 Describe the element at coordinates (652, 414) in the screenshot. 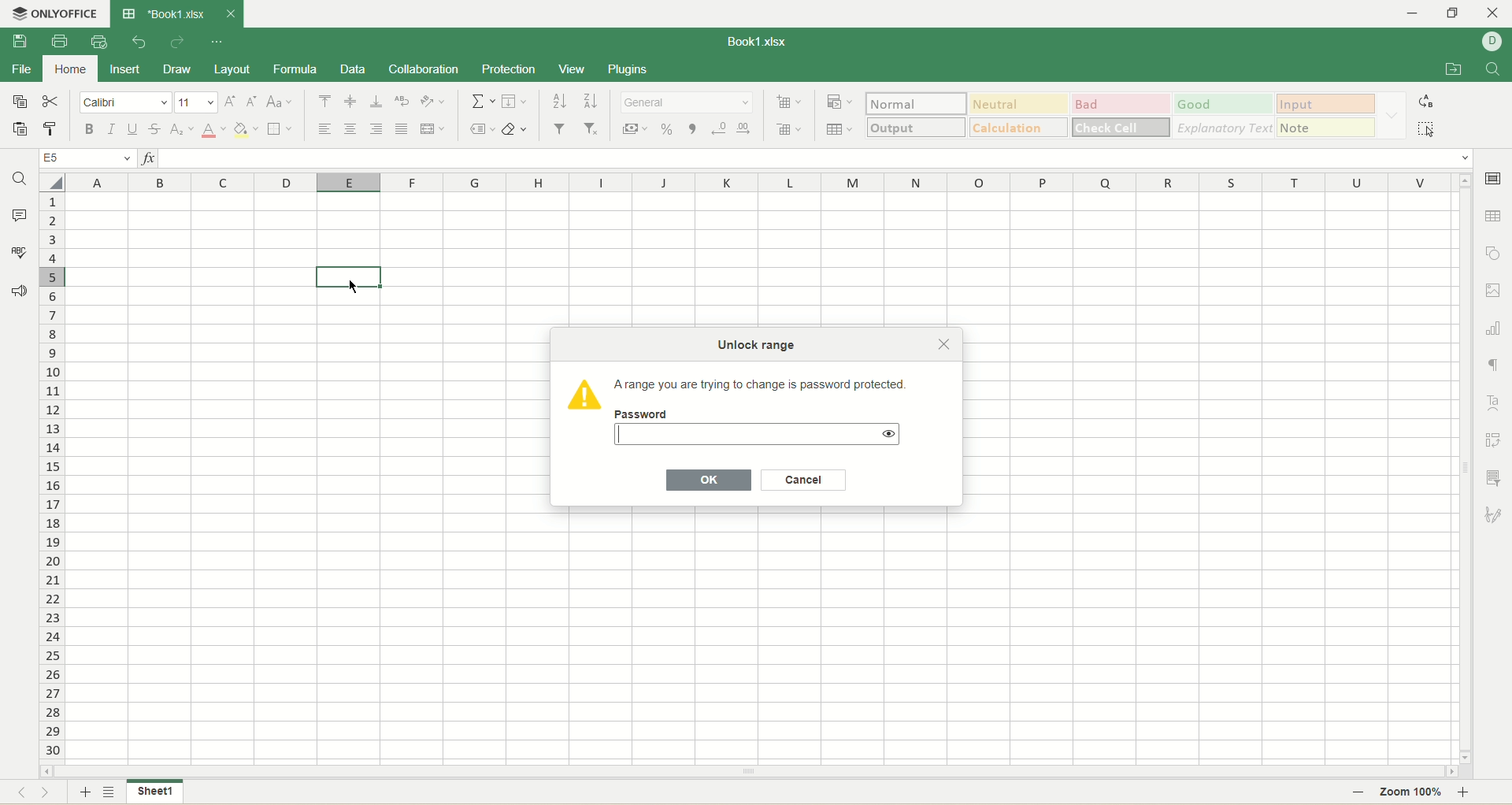

I see `Password` at that location.